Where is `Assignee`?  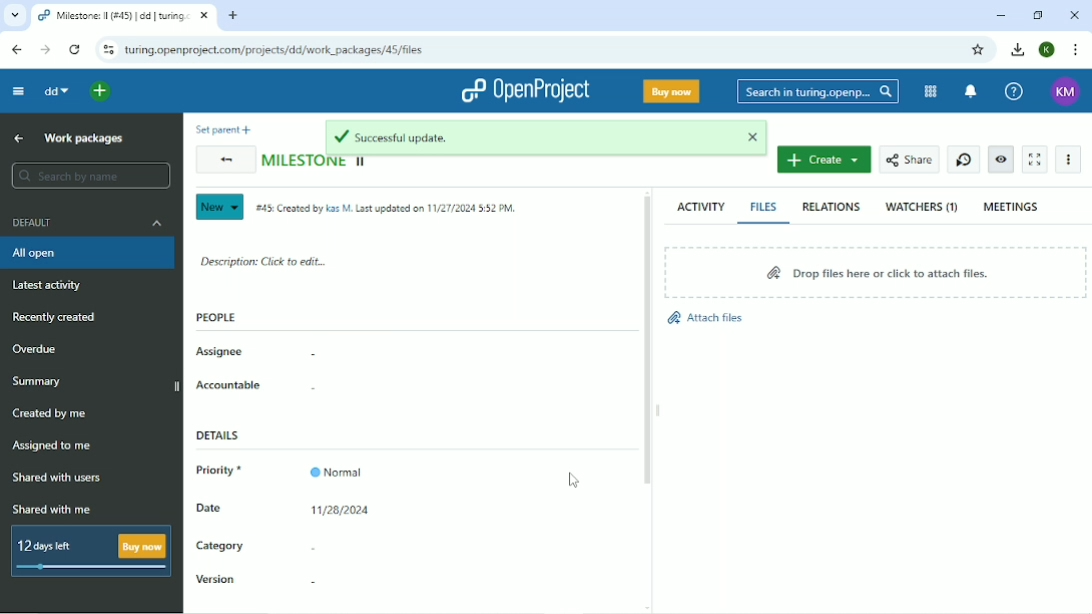 Assignee is located at coordinates (221, 352).